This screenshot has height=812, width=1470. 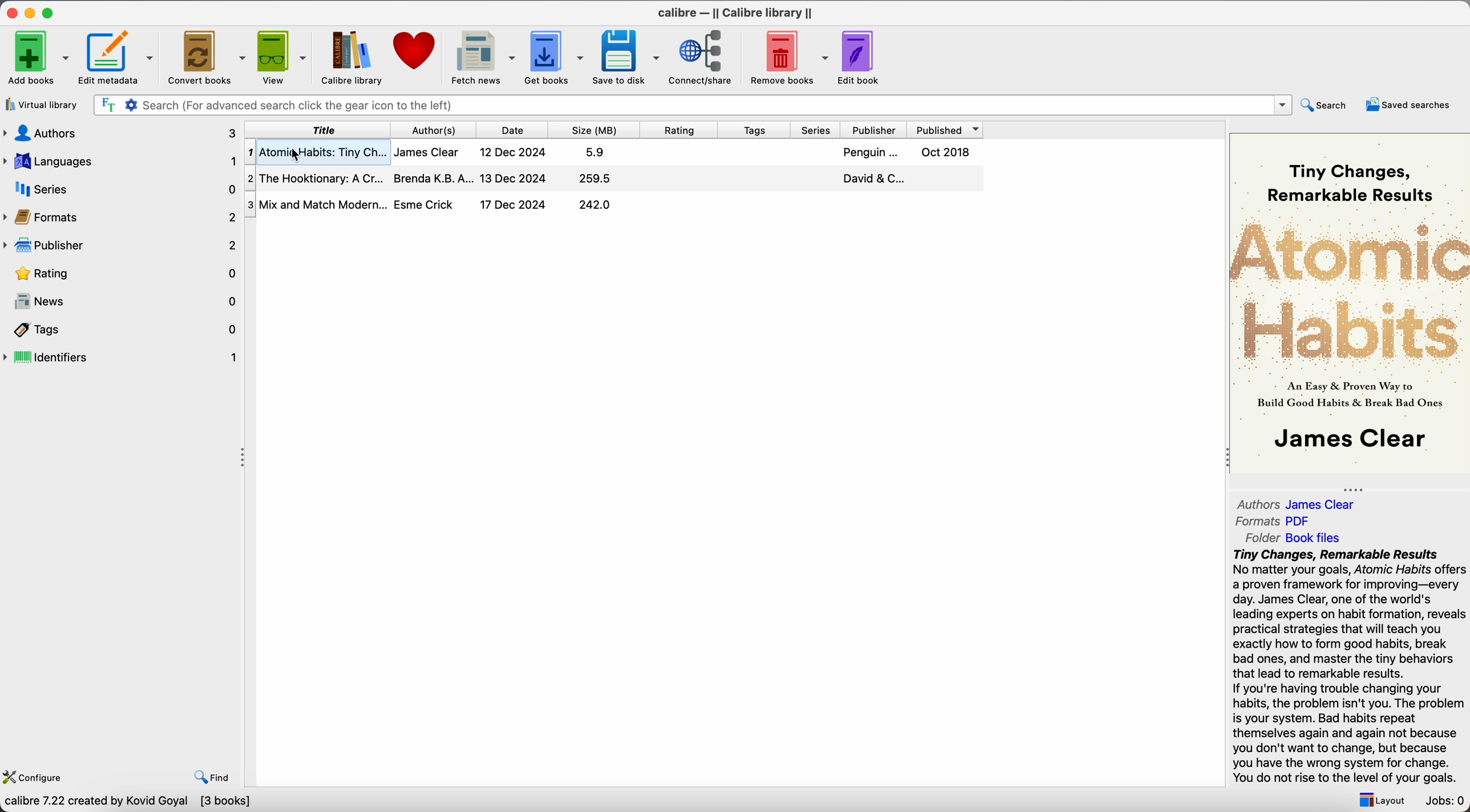 I want to click on search, so click(x=1327, y=104).